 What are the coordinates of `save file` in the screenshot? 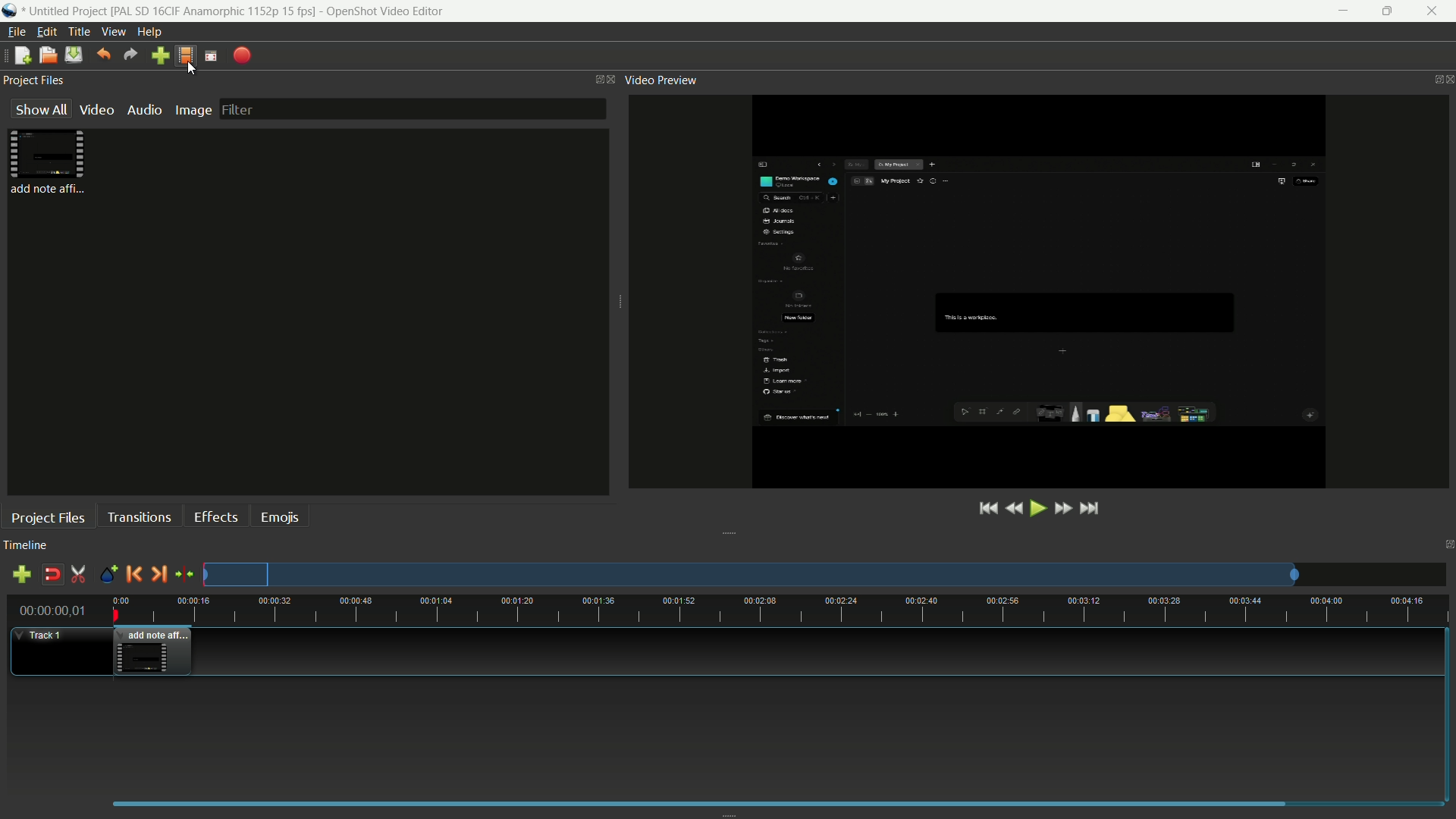 It's located at (74, 55).